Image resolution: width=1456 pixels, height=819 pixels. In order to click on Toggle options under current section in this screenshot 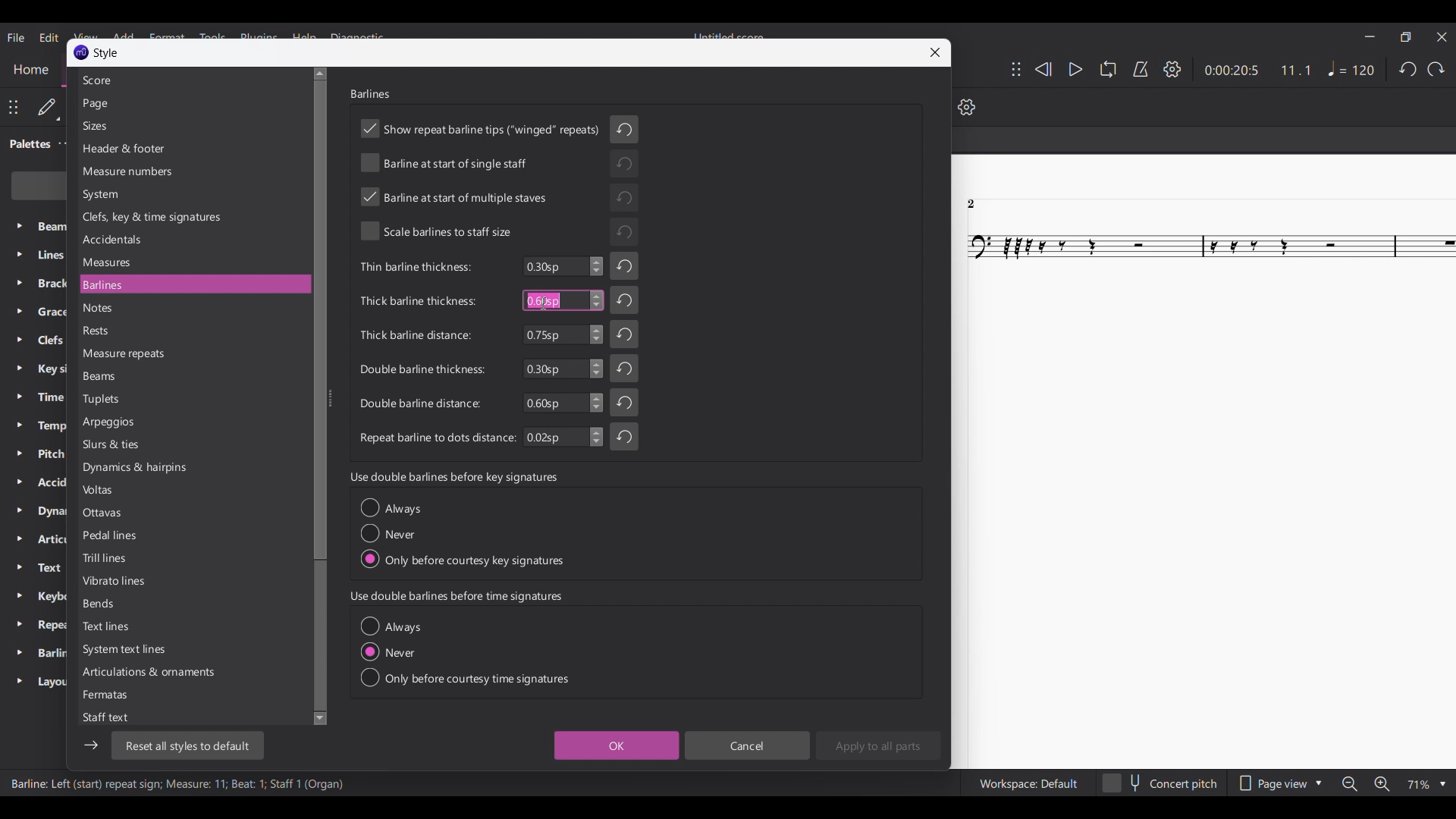, I will do `click(465, 652)`.